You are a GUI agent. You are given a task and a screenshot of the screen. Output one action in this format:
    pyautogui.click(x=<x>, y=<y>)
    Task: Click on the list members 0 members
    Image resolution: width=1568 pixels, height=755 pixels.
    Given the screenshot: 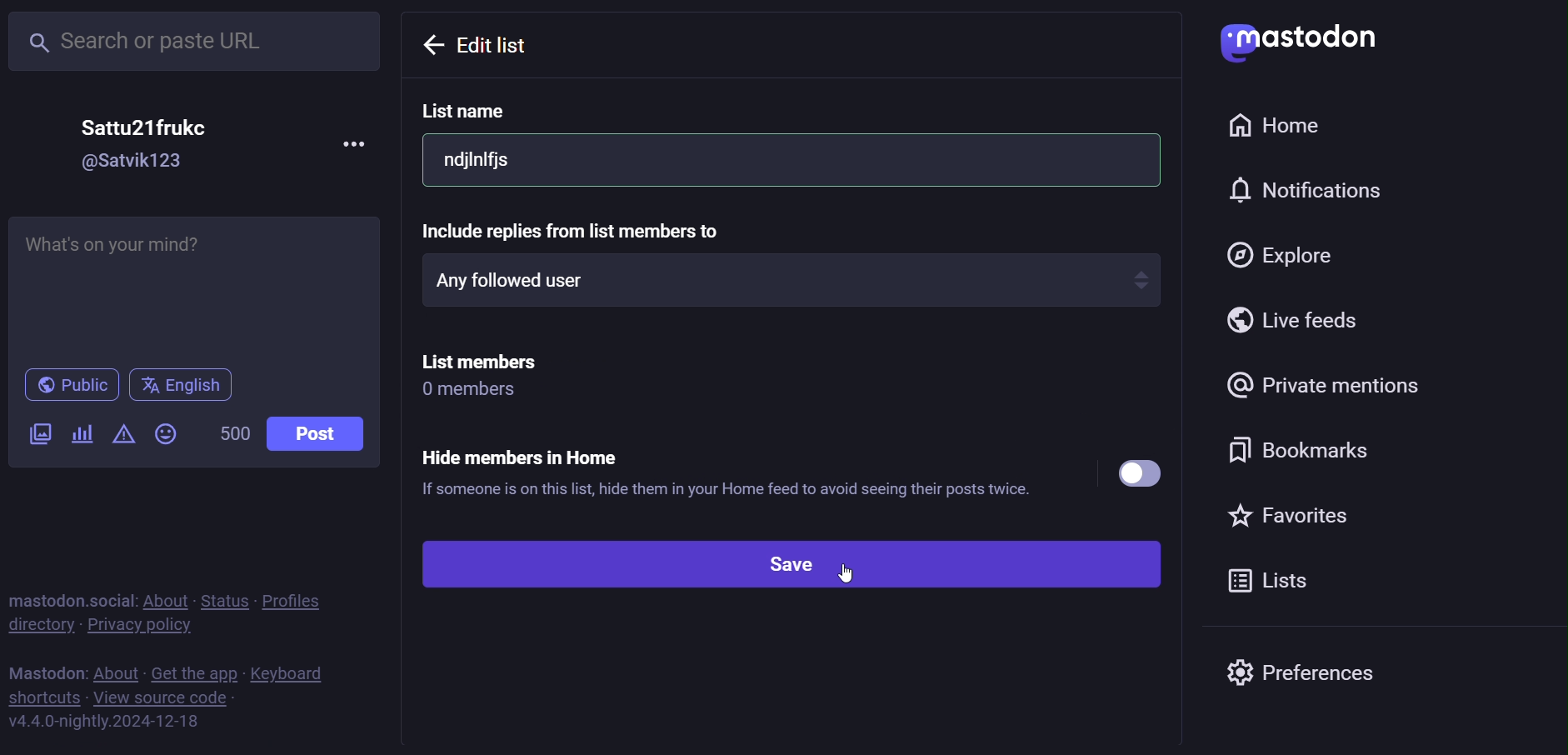 What is the action you would take?
    pyautogui.click(x=482, y=375)
    